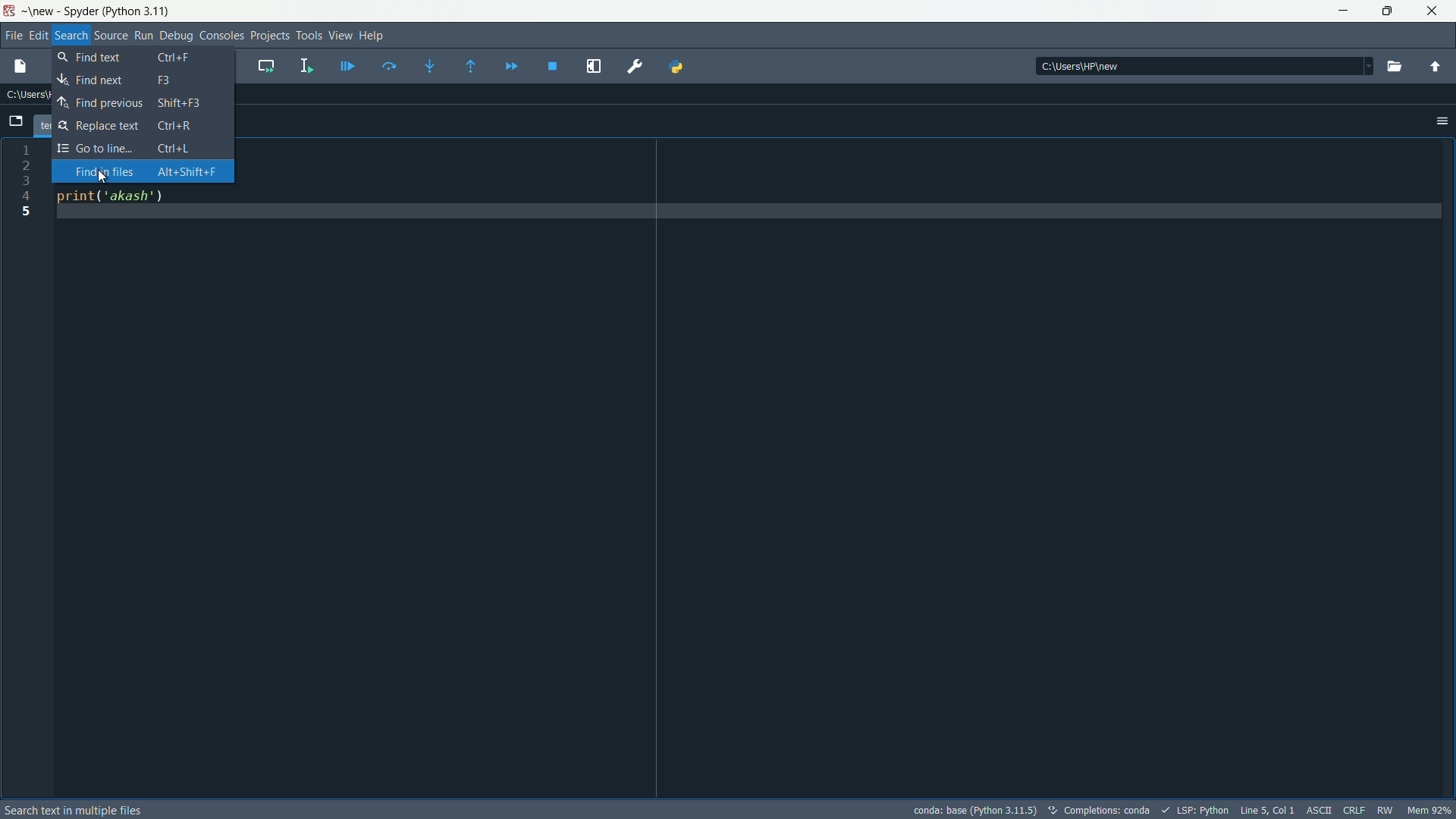 The image size is (1456, 819). I want to click on Preferences, so click(632, 69).